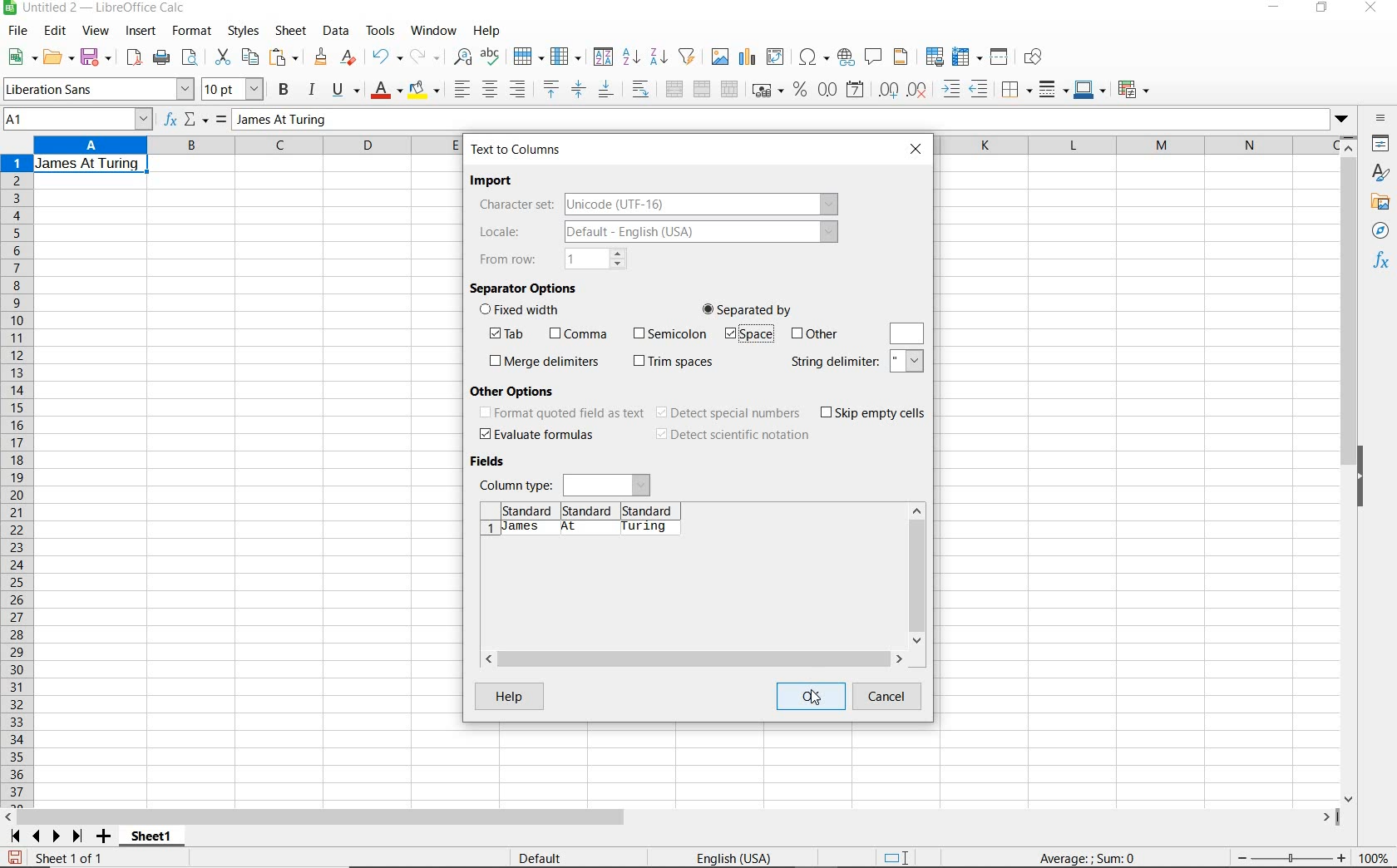 This screenshot has width=1397, height=868. Describe the element at coordinates (733, 857) in the screenshot. I see `language` at that location.